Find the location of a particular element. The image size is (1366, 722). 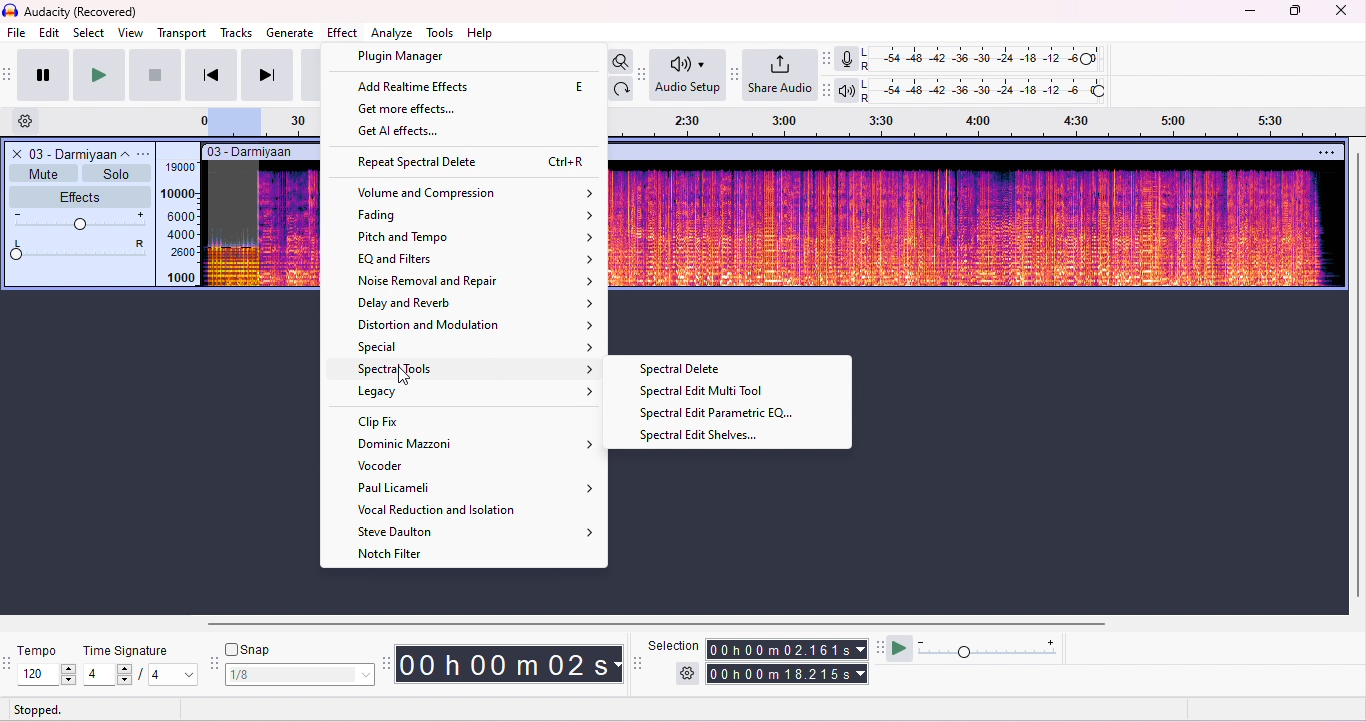

legacy is located at coordinates (477, 392).